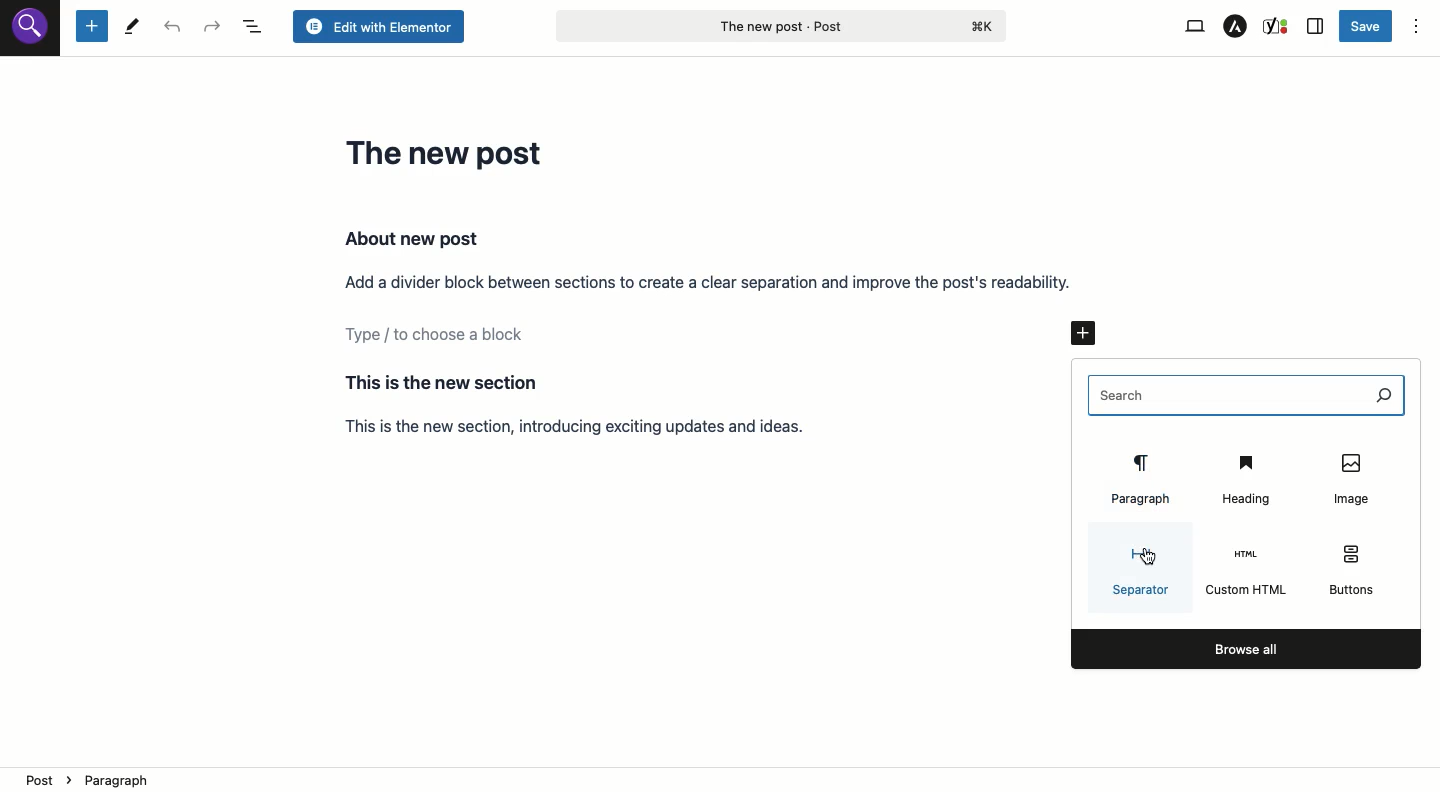 Image resolution: width=1440 pixels, height=792 pixels. What do you see at coordinates (91, 27) in the screenshot?
I see `New block` at bounding box center [91, 27].